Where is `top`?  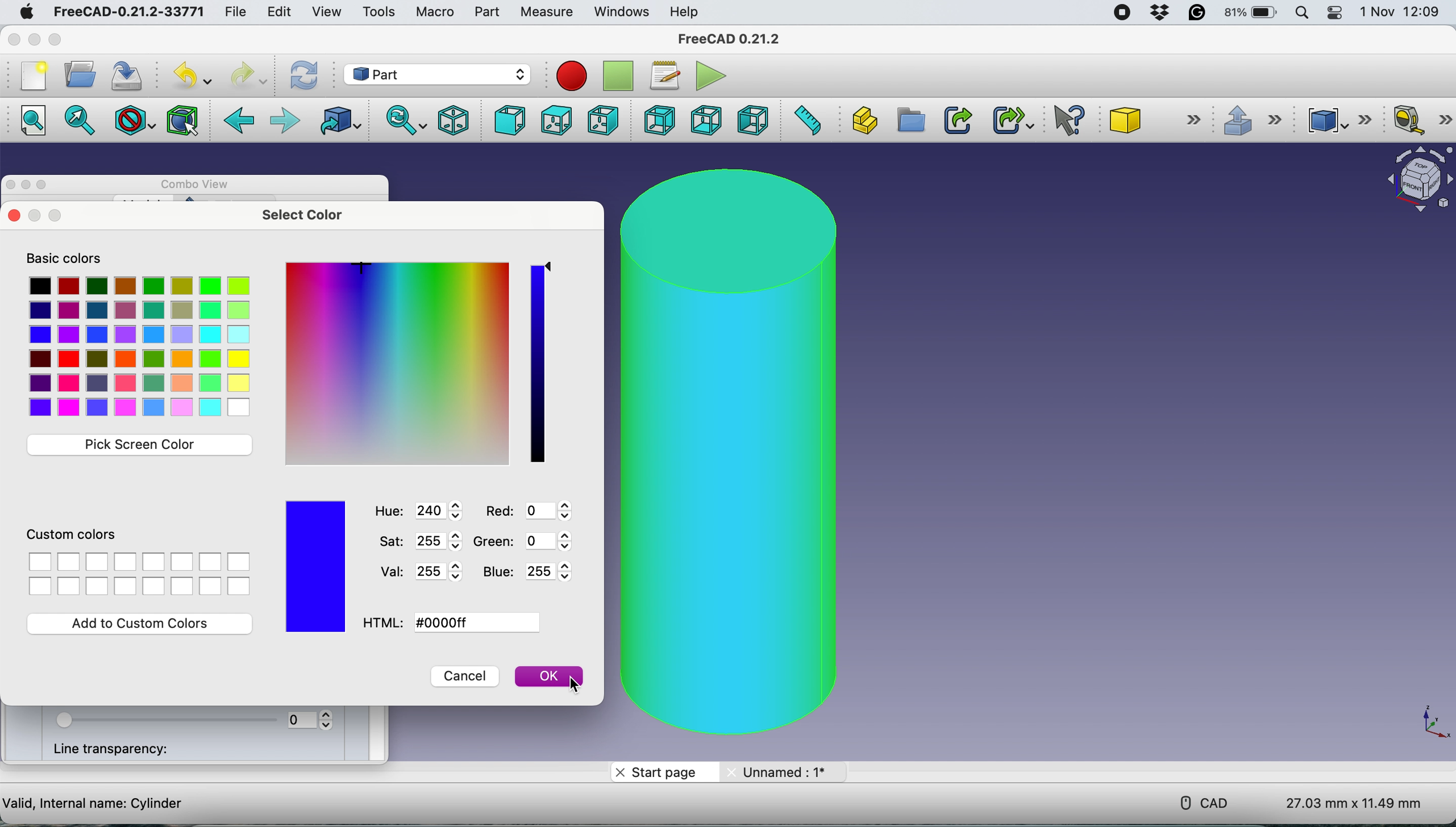 top is located at coordinates (554, 120).